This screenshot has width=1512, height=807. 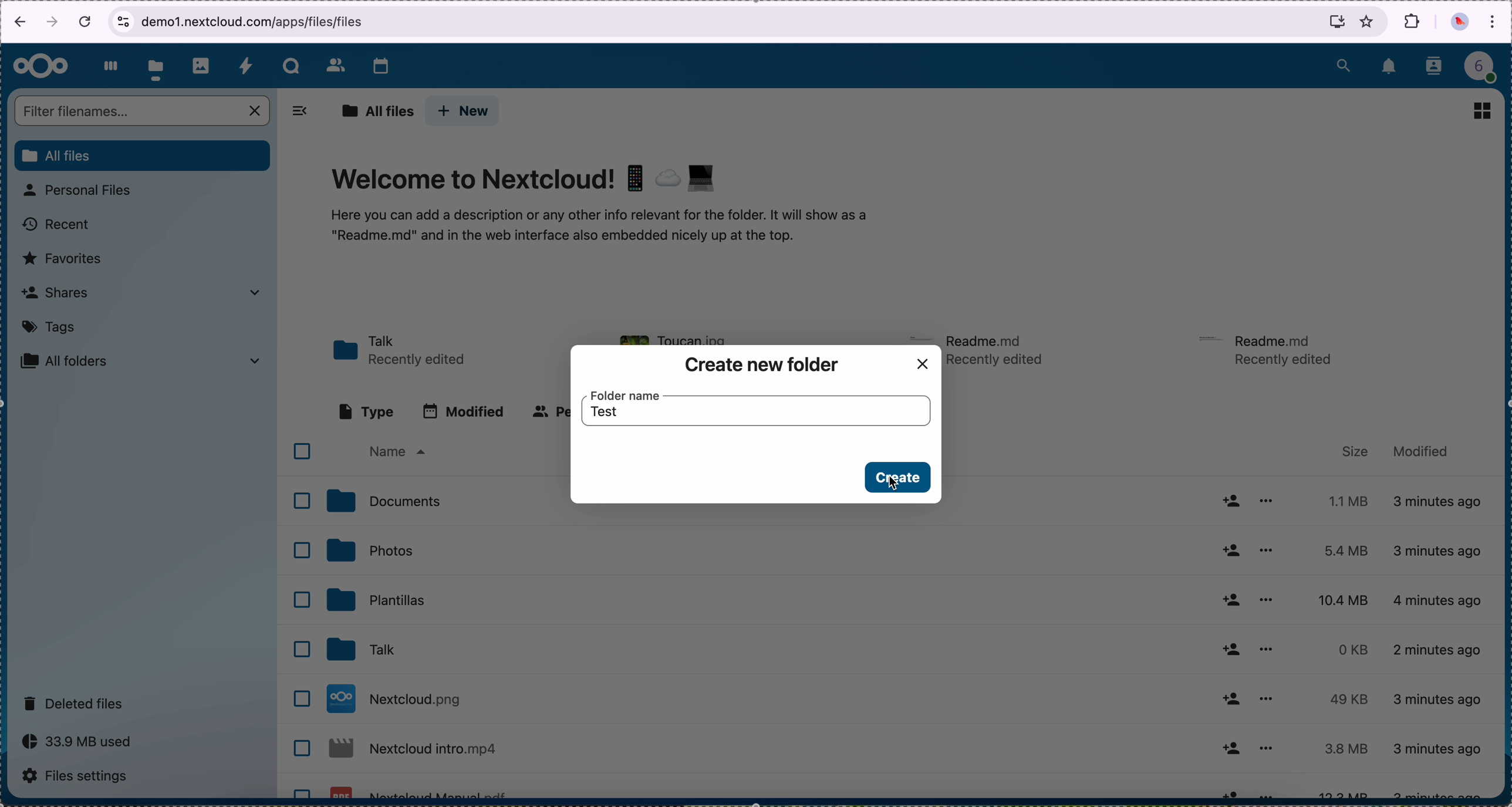 I want to click on more options, so click(x=1264, y=598).